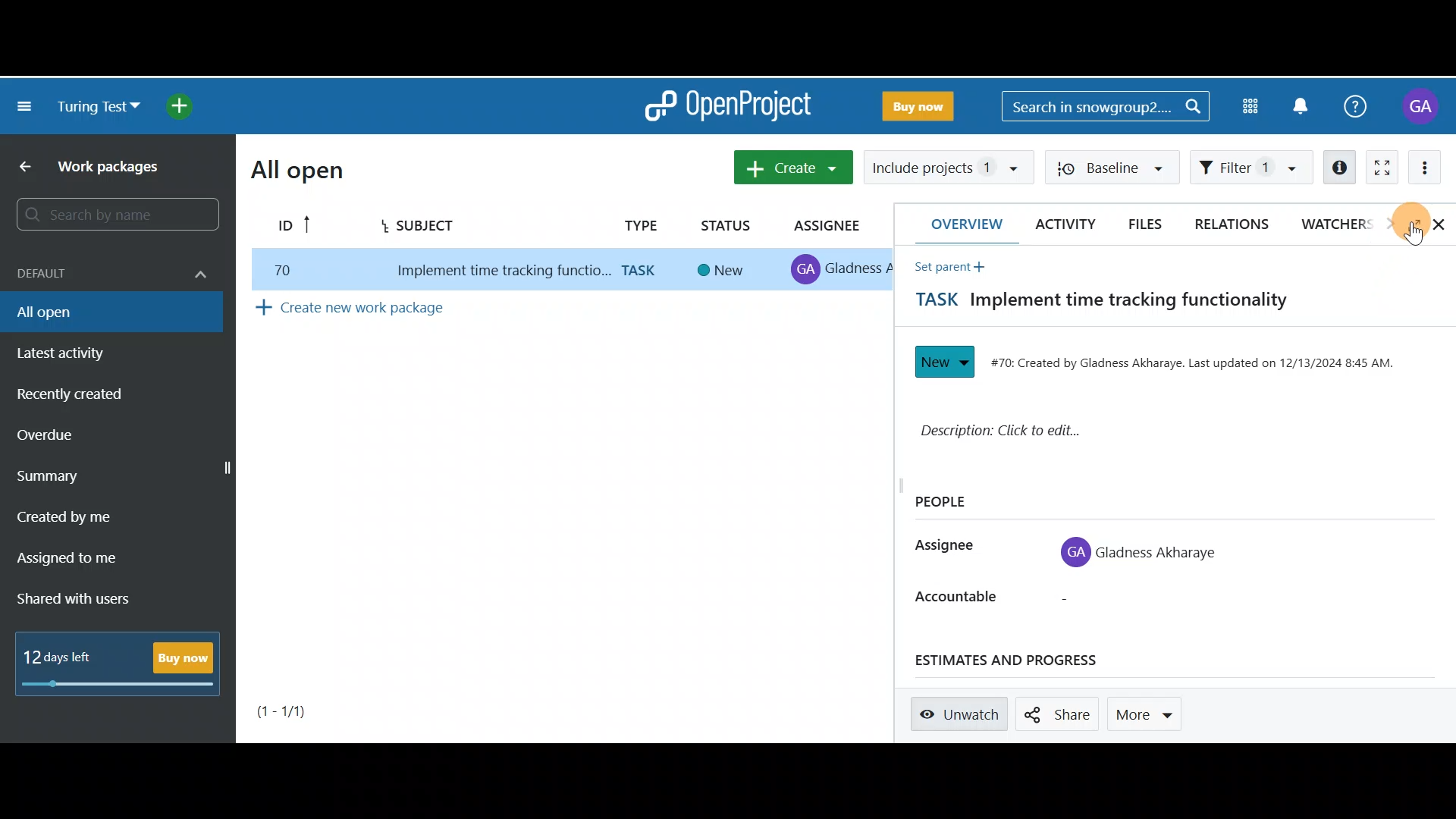  What do you see at coordinates (1250, 170) in the screenshot?
I see `Filter` at bounding box center [1250, 170].